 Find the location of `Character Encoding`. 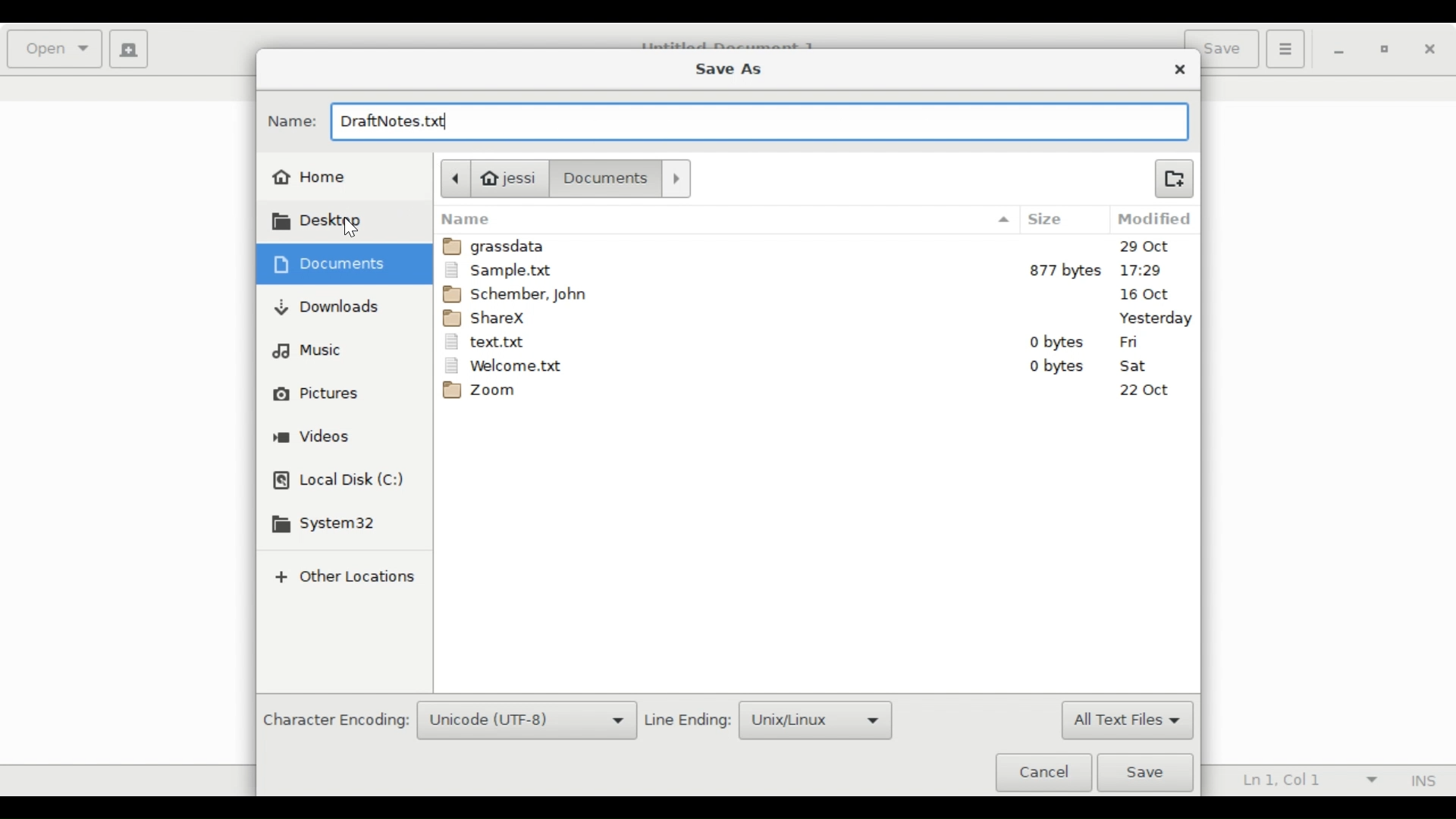

Character Encoding is located at coordinates (334, 721).